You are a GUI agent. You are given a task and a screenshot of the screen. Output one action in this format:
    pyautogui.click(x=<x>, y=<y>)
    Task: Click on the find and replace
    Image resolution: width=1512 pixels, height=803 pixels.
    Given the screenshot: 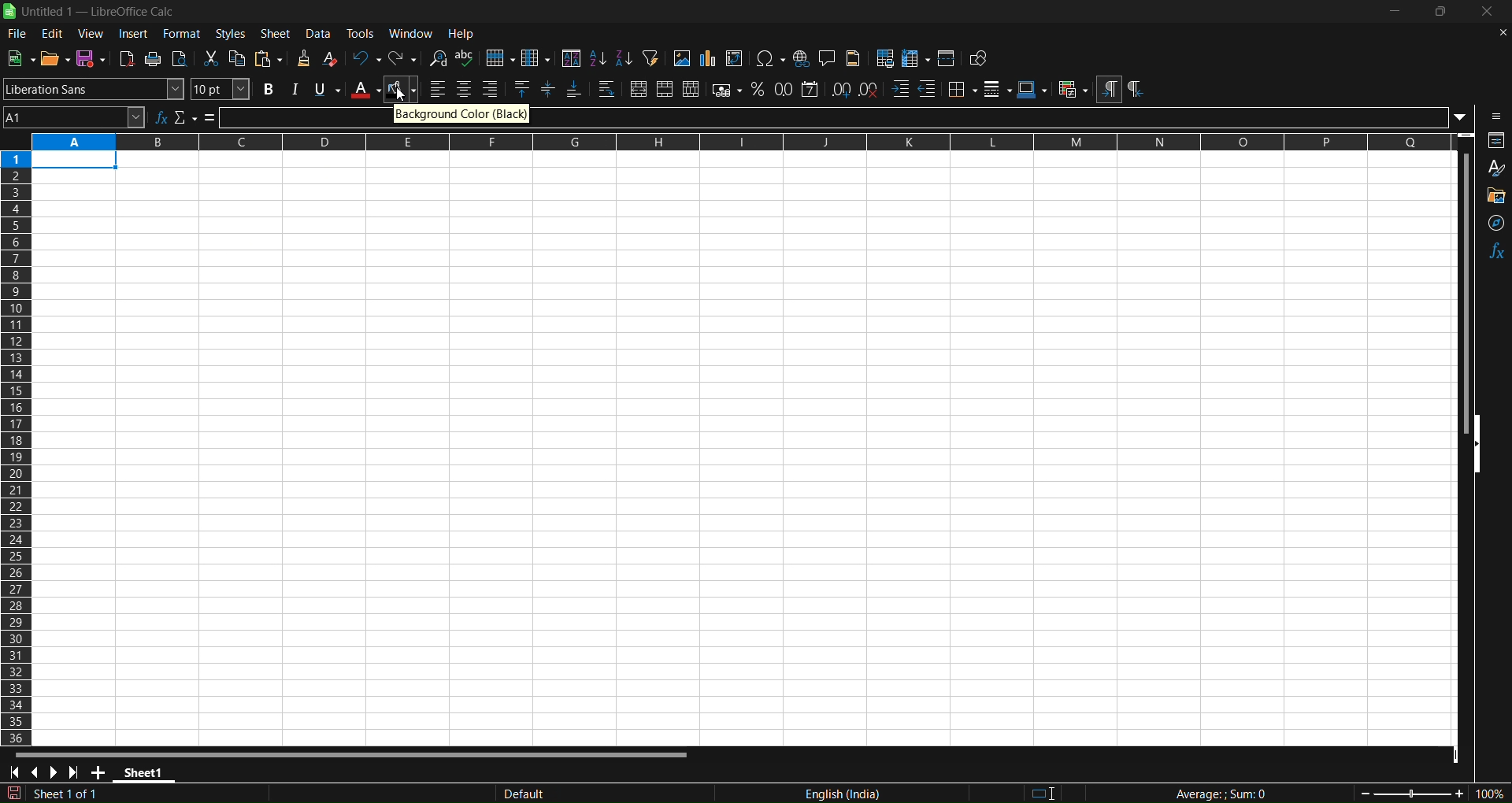 What is the action you would take?
    pyautogui.click(x=438, y=58)
    